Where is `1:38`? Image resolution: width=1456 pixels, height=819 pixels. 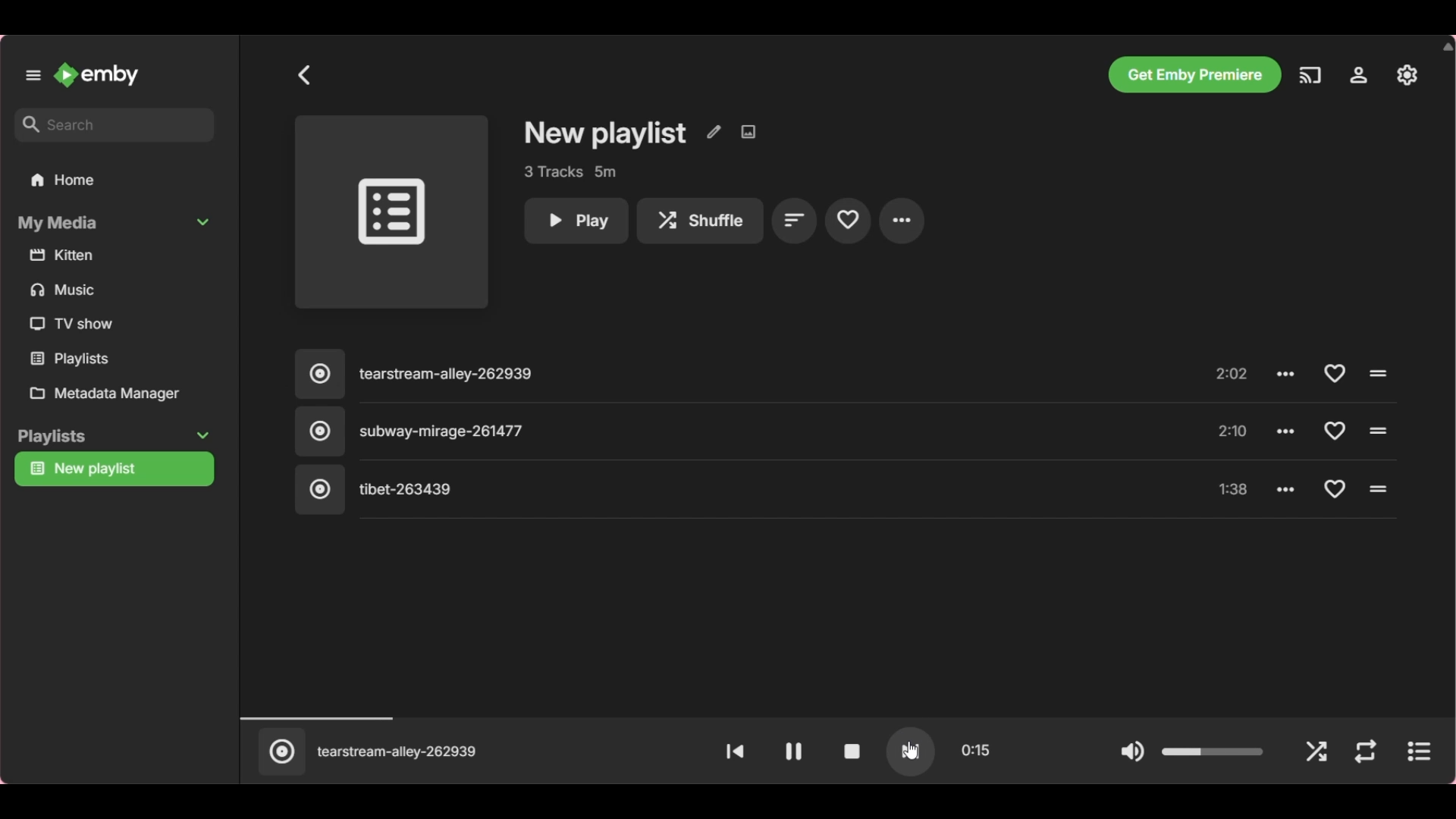
1:38 is located at coordinates (1232, 487).